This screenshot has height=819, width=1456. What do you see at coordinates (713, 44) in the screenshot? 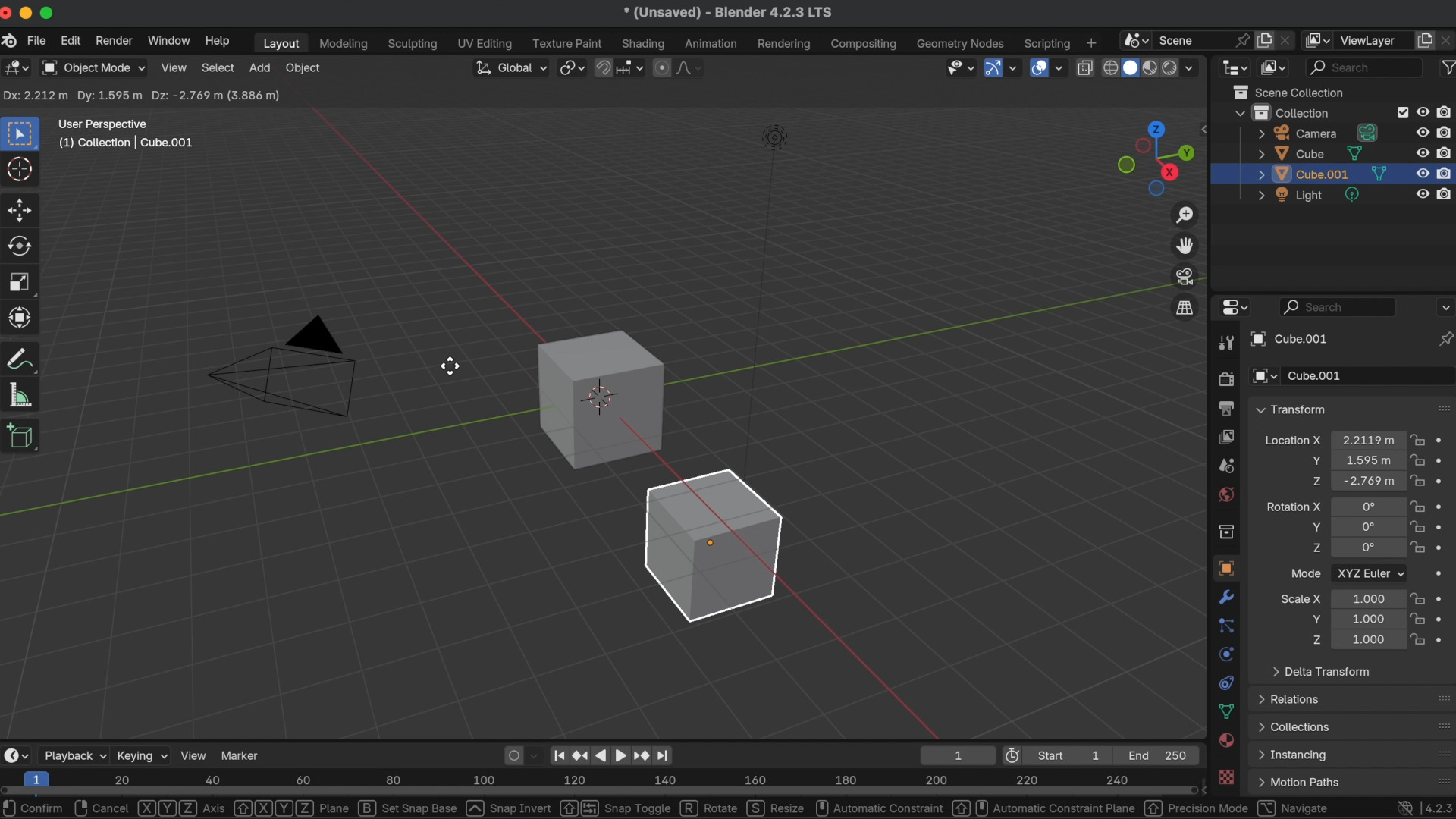
I see `animation` at bounding box center [713, 44].